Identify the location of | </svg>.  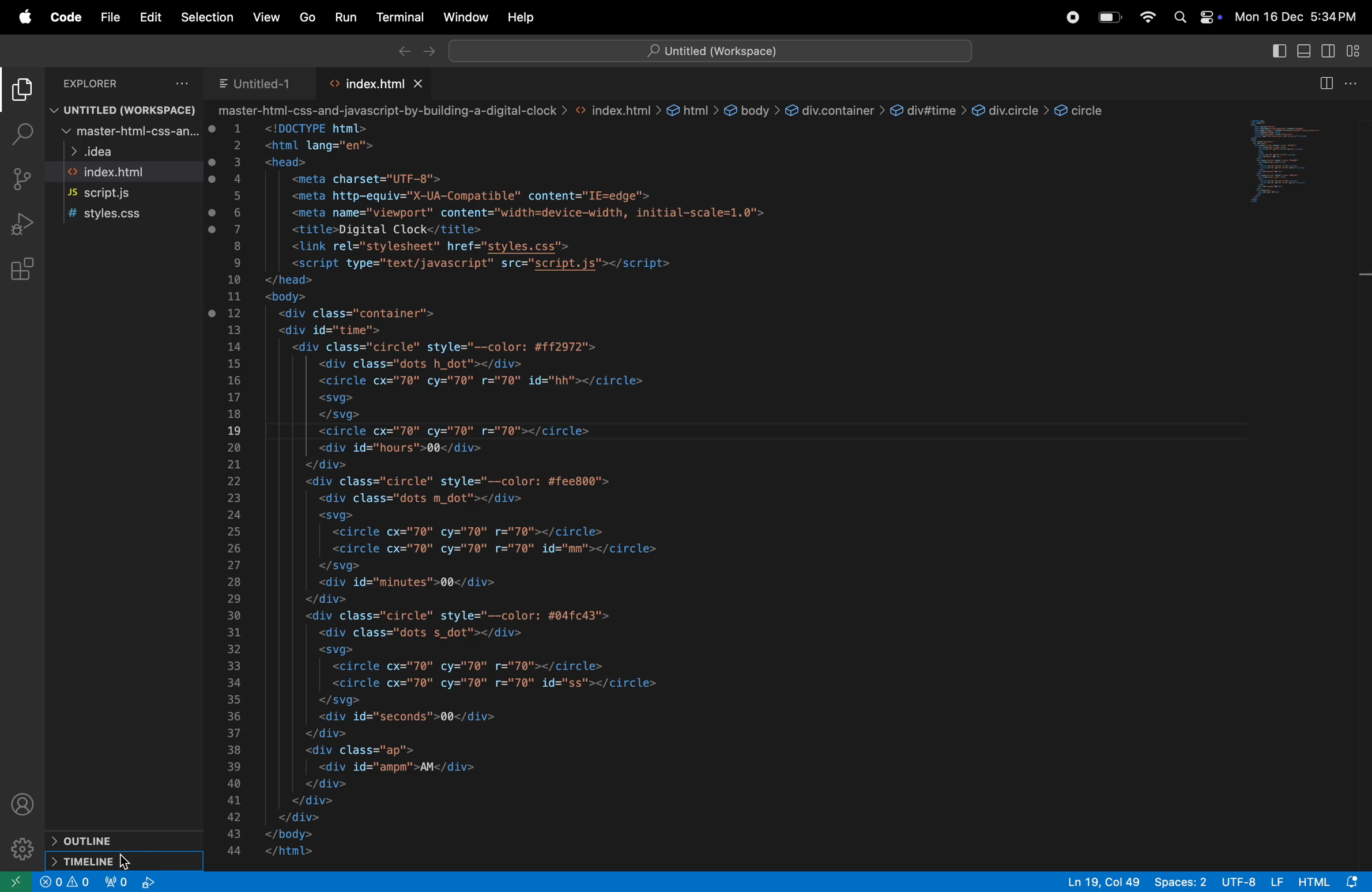
(337, 415).